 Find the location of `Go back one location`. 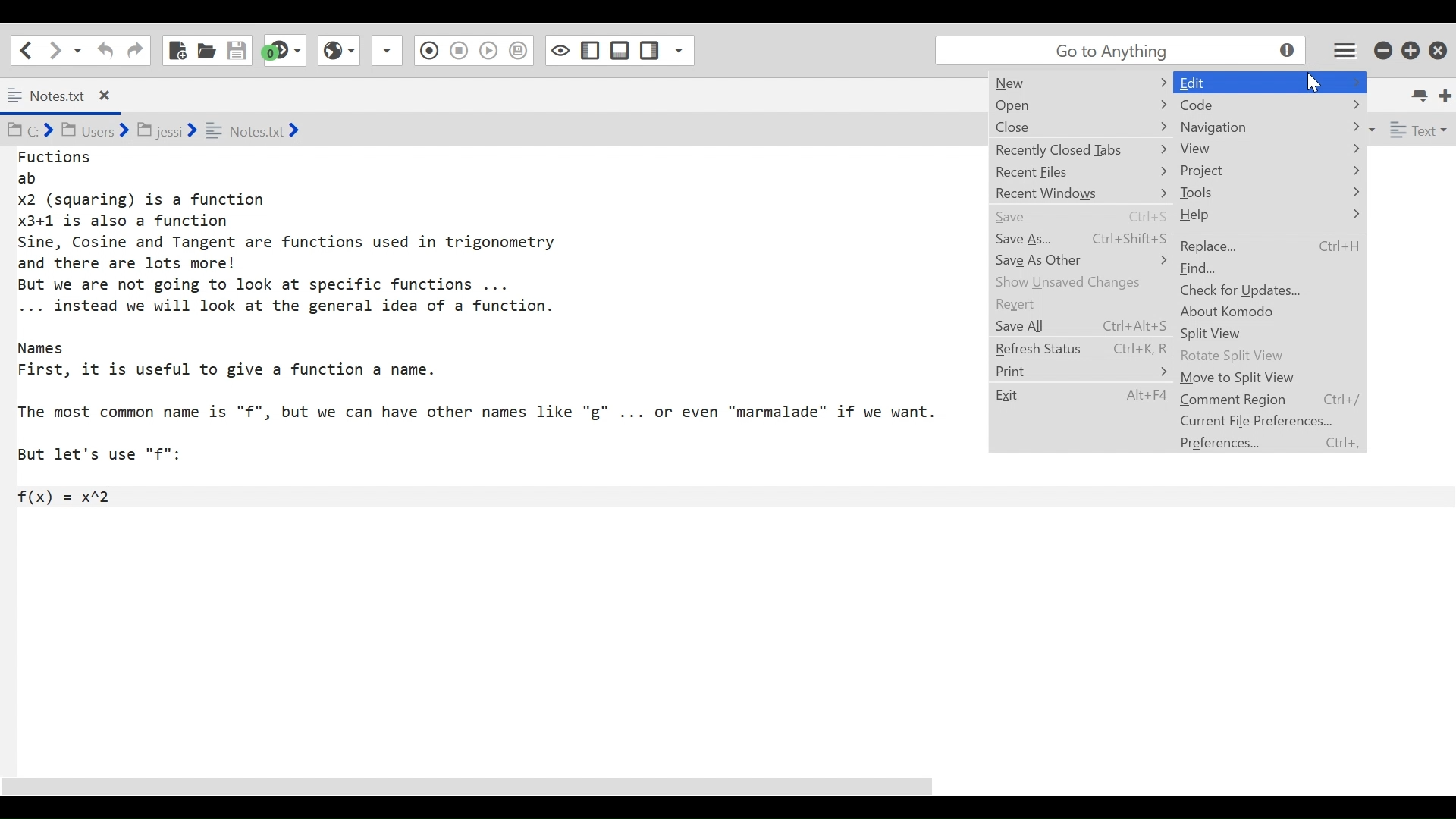

Go back one location is located at coordinates (22, 49).